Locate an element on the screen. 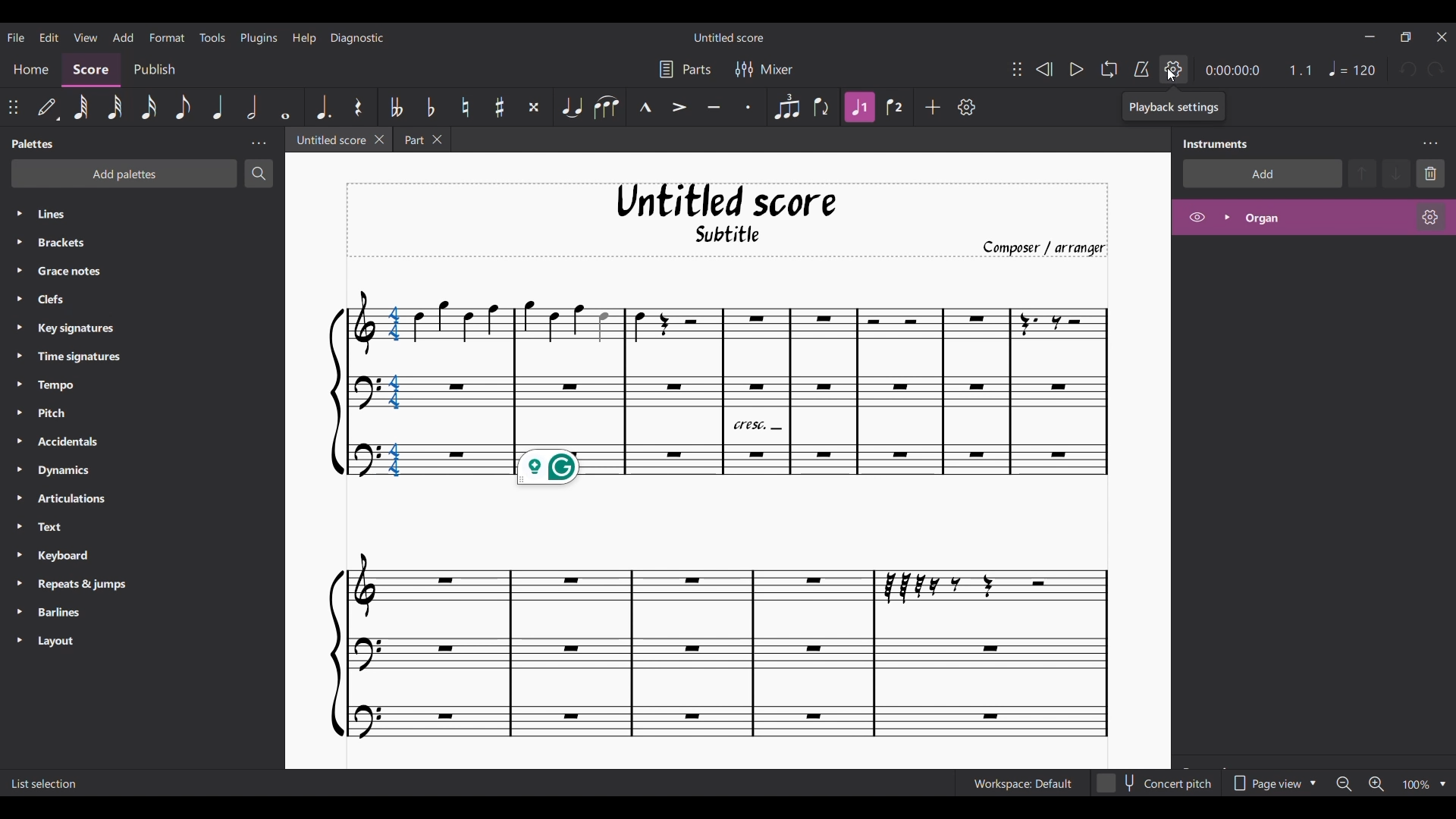 The image size is (1456, 819). Current ratio and duration is located at coordinates (1259, 70).